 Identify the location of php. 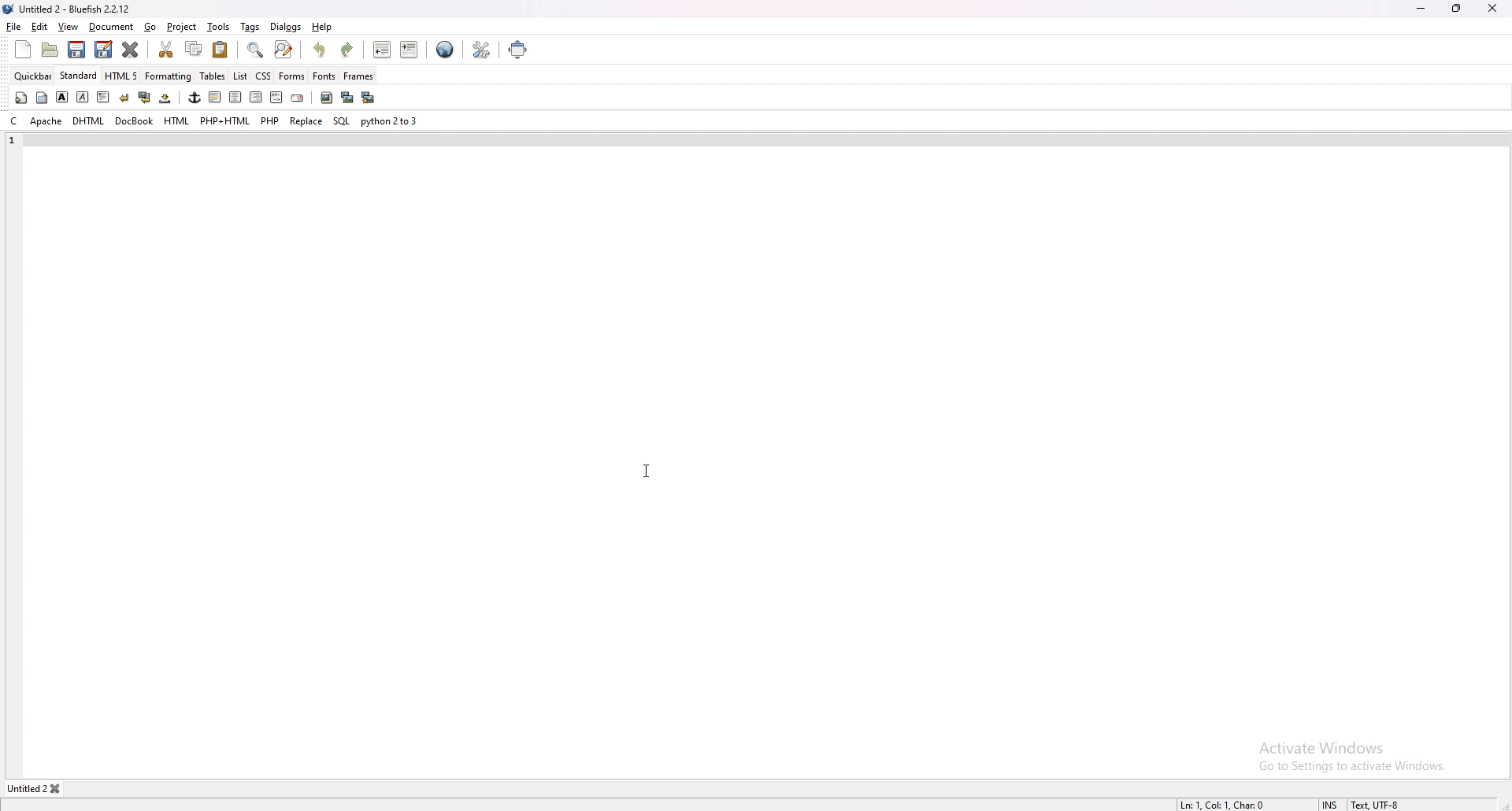
(271, 120).